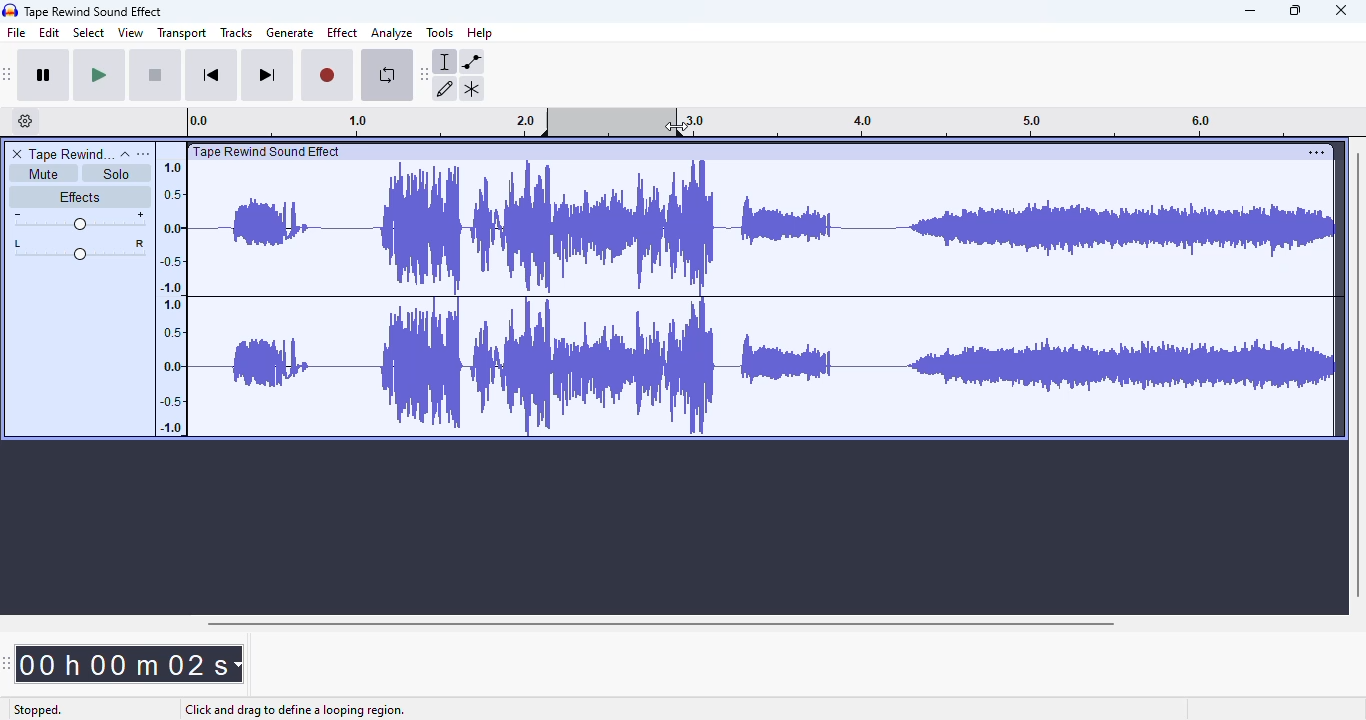 Image resolution: width=1366 pixels, height=720 pixels. I want to click on analyze , so click(392, 33).